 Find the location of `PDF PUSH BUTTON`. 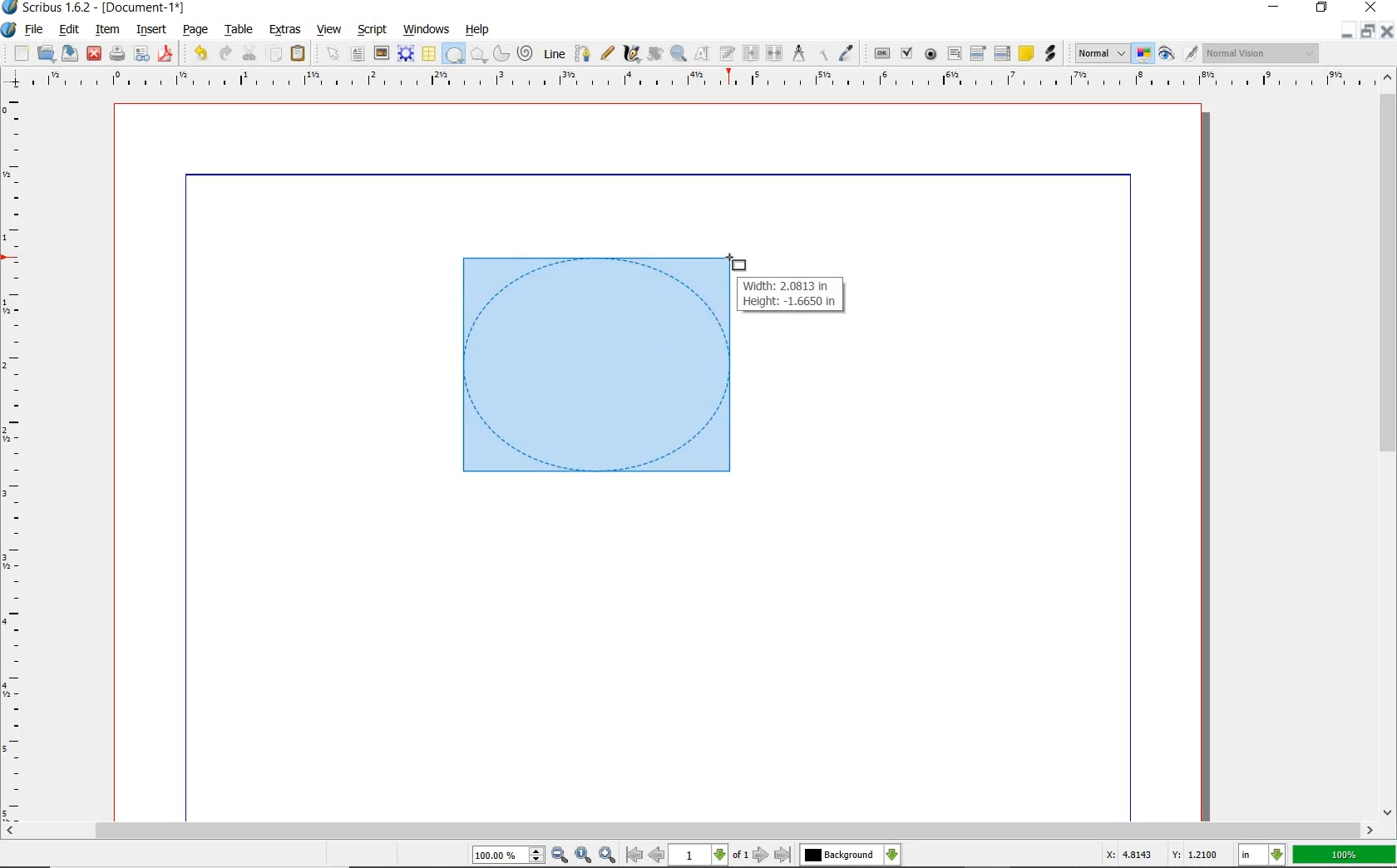

PDF PUSH BUTTON is located at coordinates (881, 54).